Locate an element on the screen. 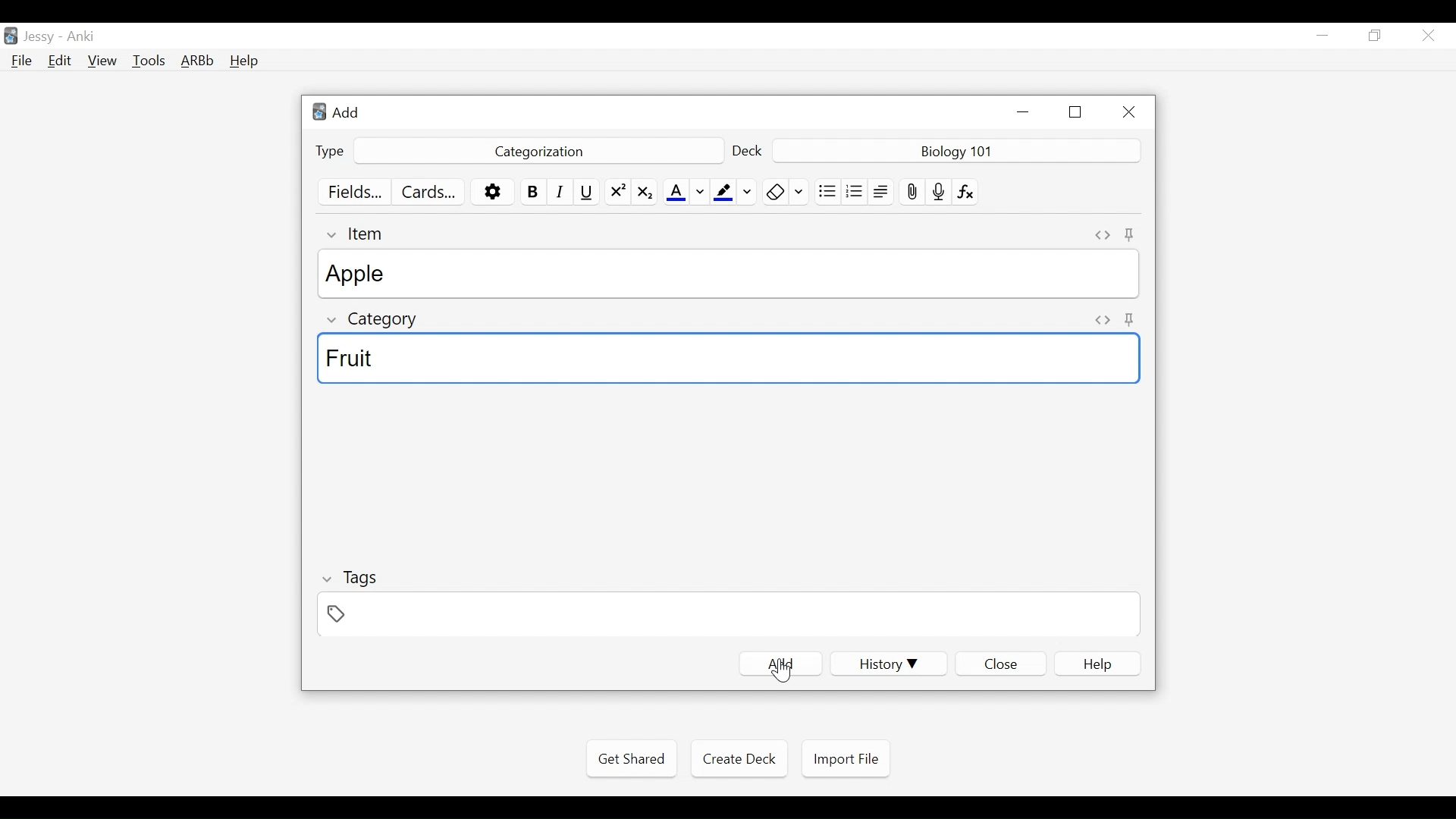 This screenshot has width=1456, height=819. Anki is located at coordinates (81, 36).